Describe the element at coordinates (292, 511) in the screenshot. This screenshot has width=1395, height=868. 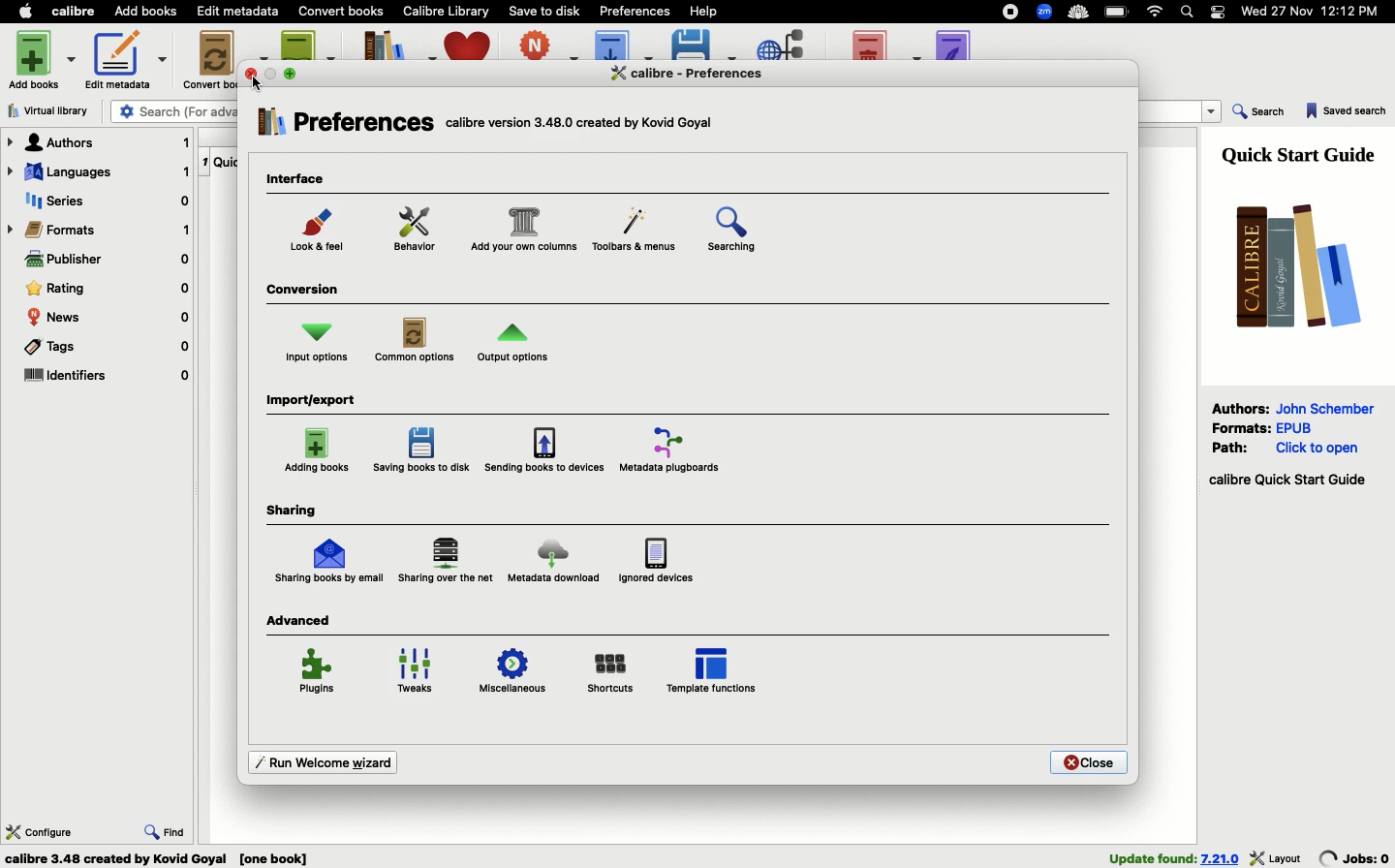
I see `Sharing` at that location.